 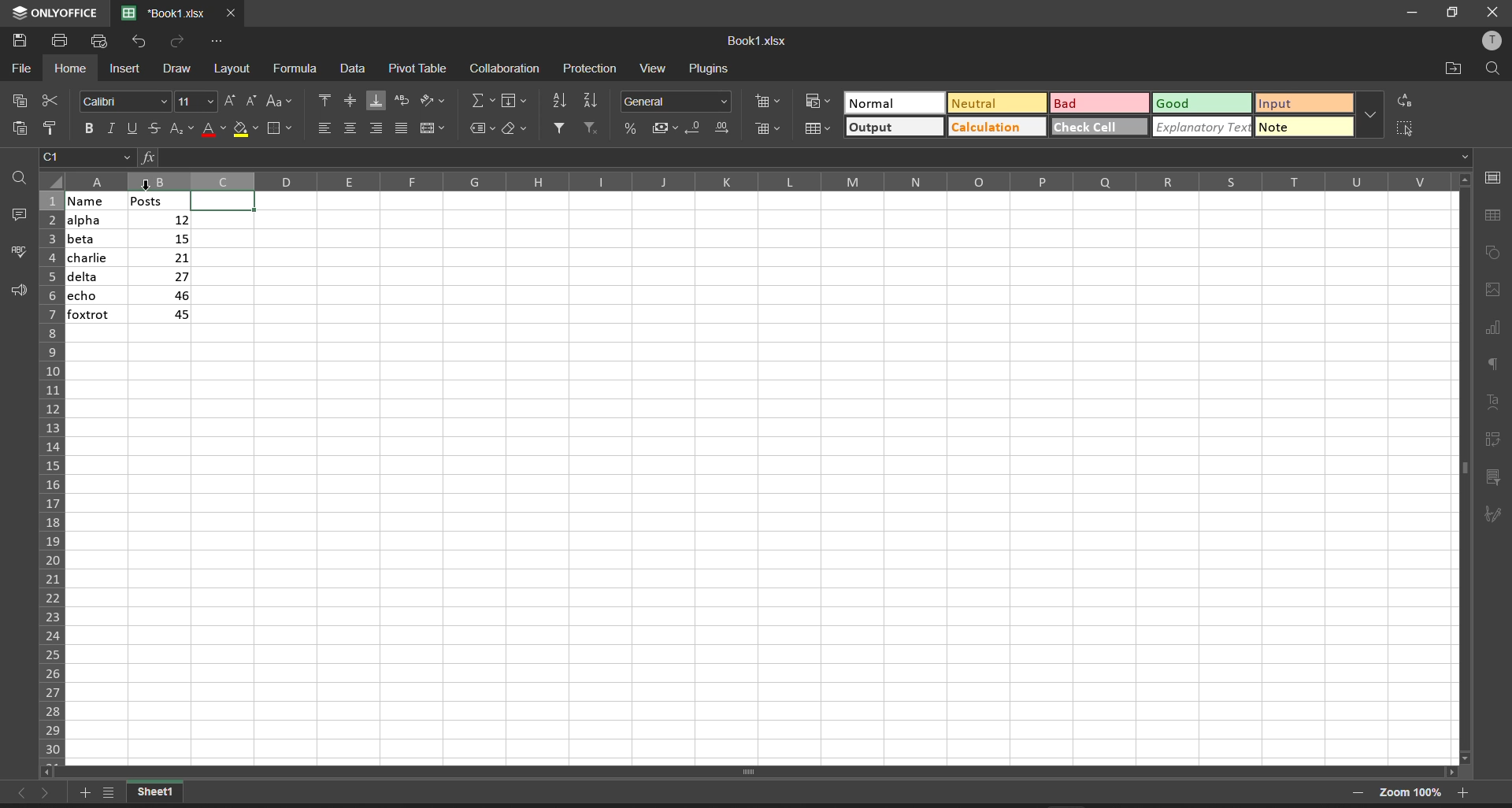 What do you see at coordinates (630, 130) in the screenshot?
I see `percent style` at bounding box center [630, 130].